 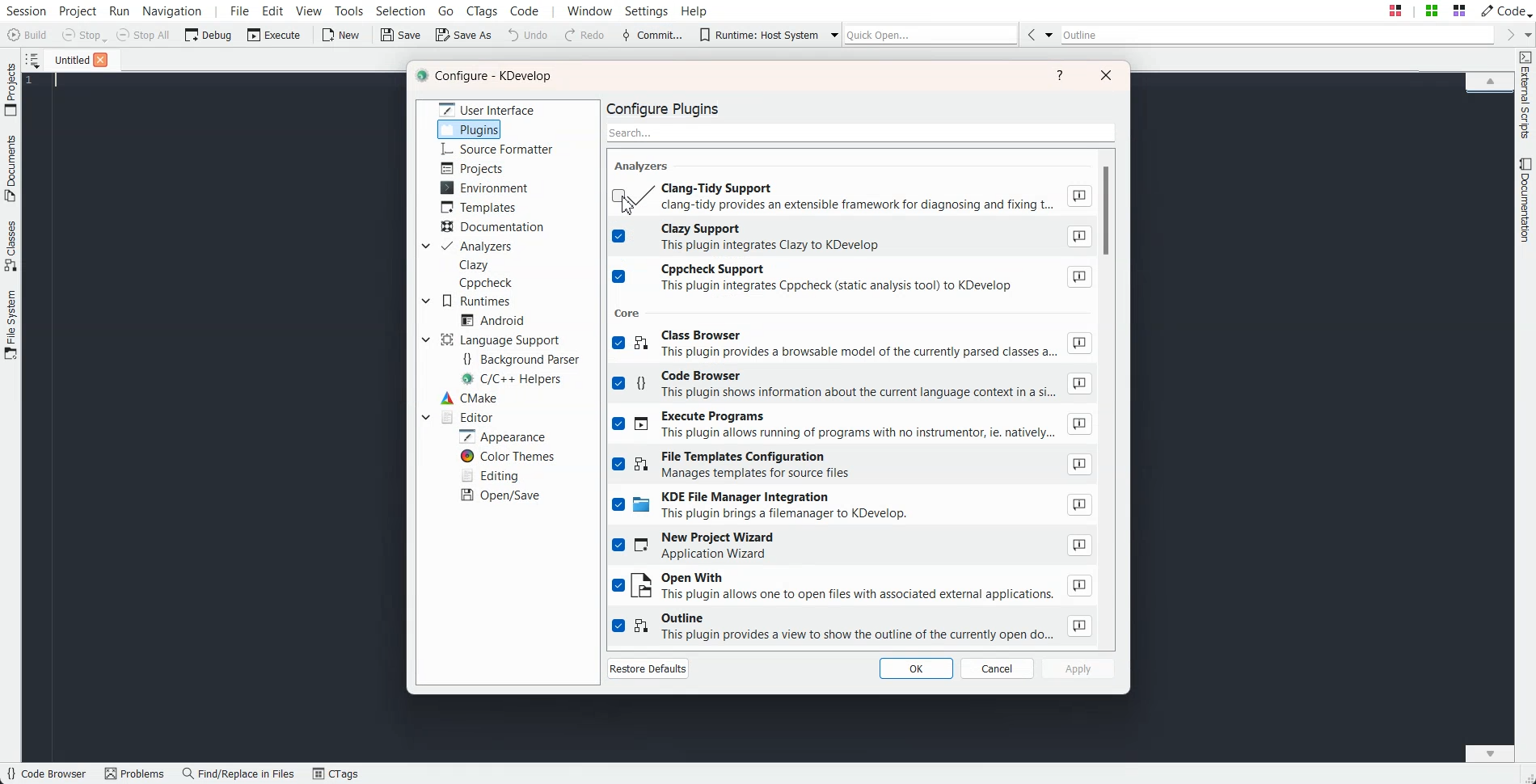 What do you see at coordinates (852, 346) in the screenshot?
I see `Enable Class Browser` at bounding box center [852, 346].